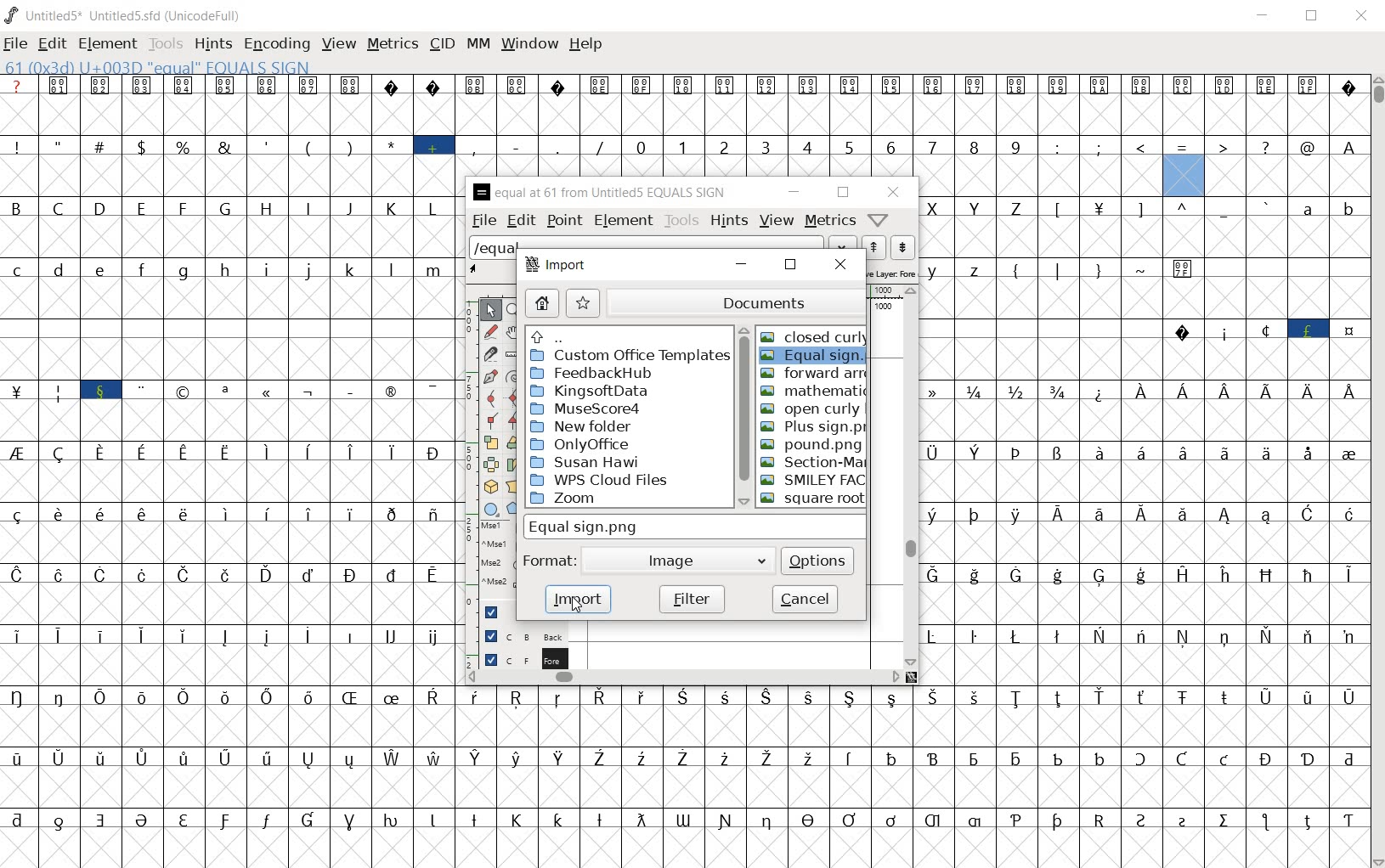  What do you see at coordinates (895, 193) in the screenshot?
I see `close` at bounding box center [895, 193].